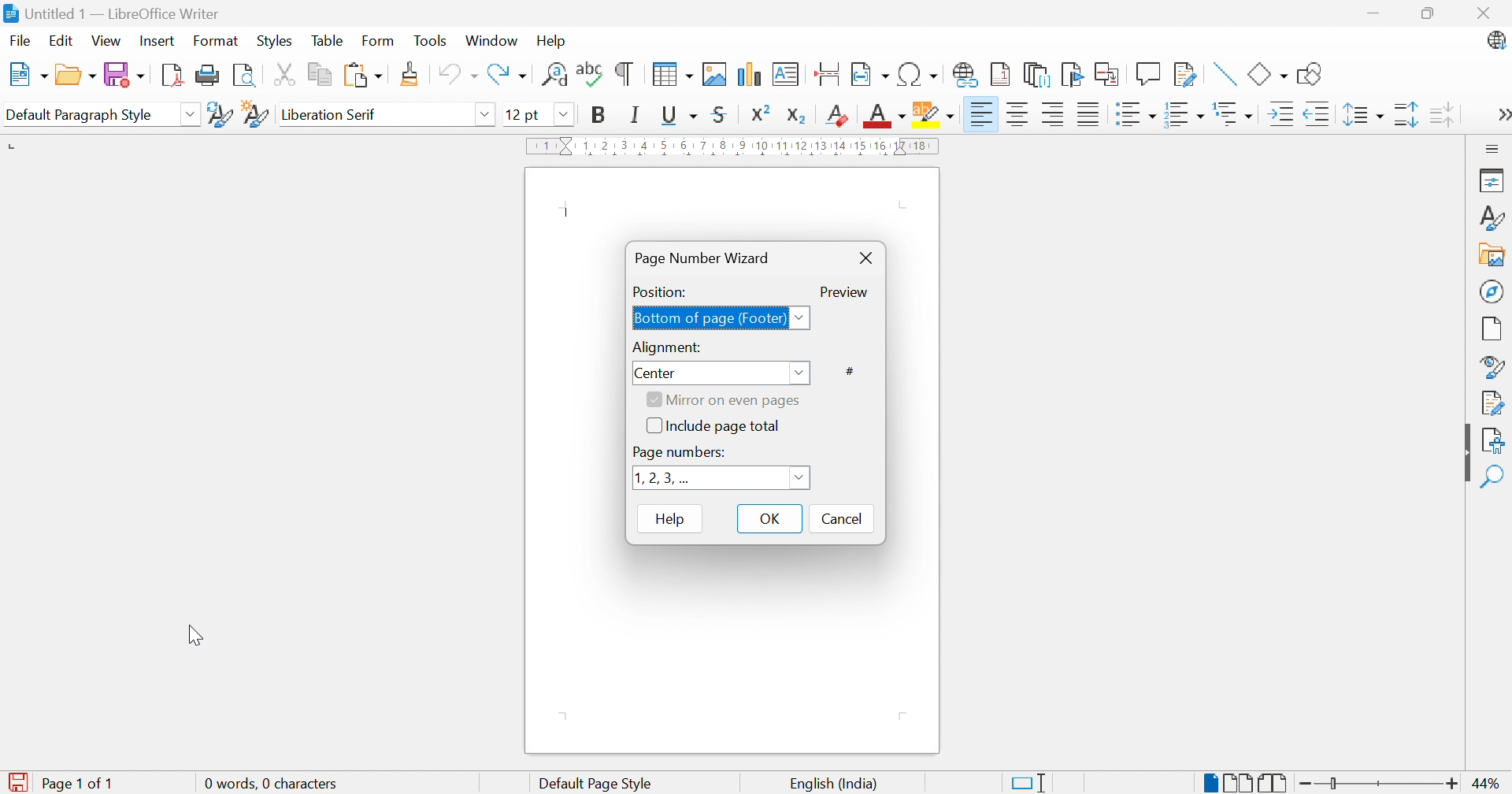 The height and width of the screenshot is (794, 1512). Describe the element at coordinates (719, 113) in the screenshot. I see `Strikethrough` at that location.